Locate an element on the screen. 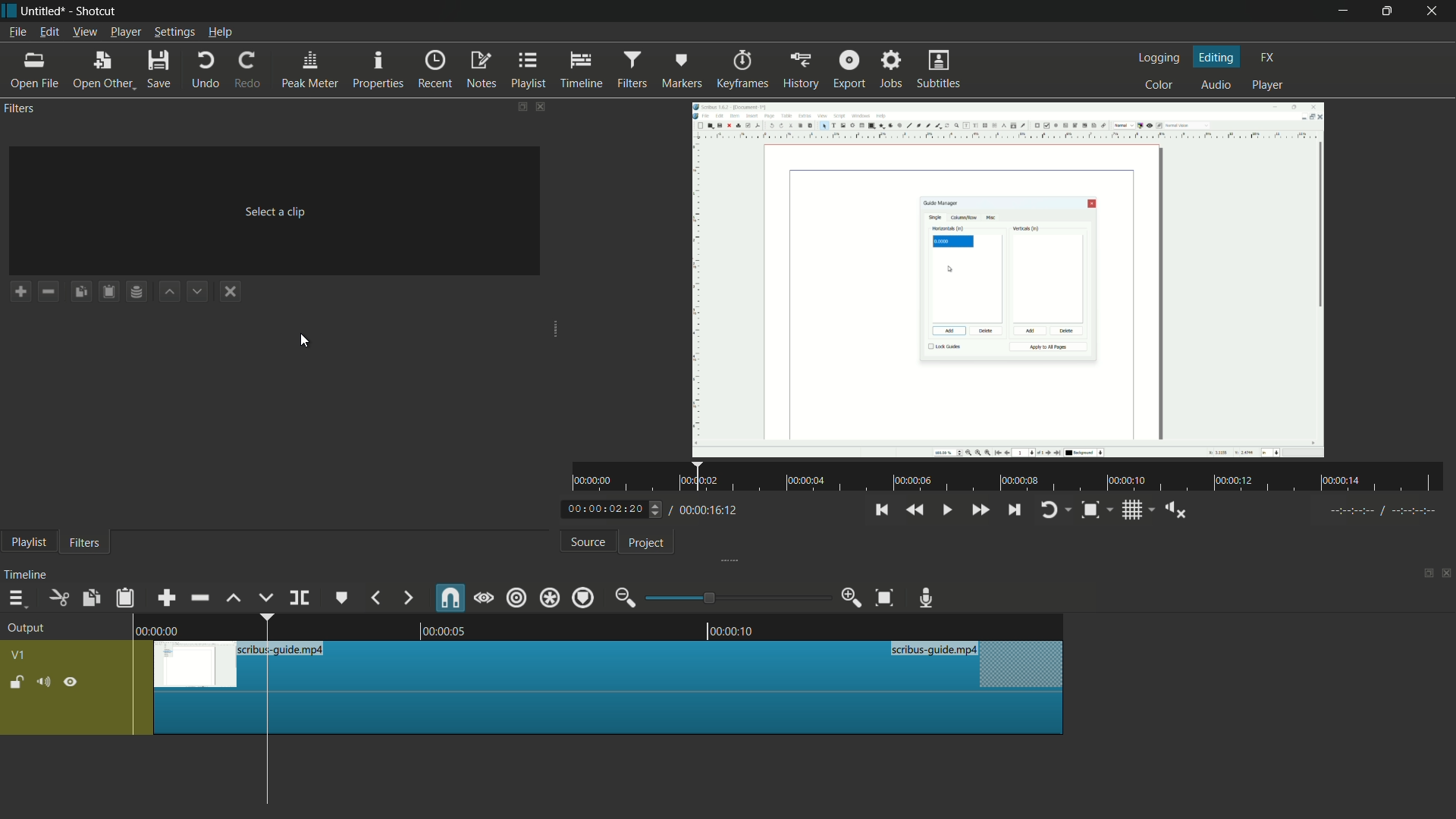 The width and height of the screenshot is (1456, 819). project name is located at coordinates (43, 10).